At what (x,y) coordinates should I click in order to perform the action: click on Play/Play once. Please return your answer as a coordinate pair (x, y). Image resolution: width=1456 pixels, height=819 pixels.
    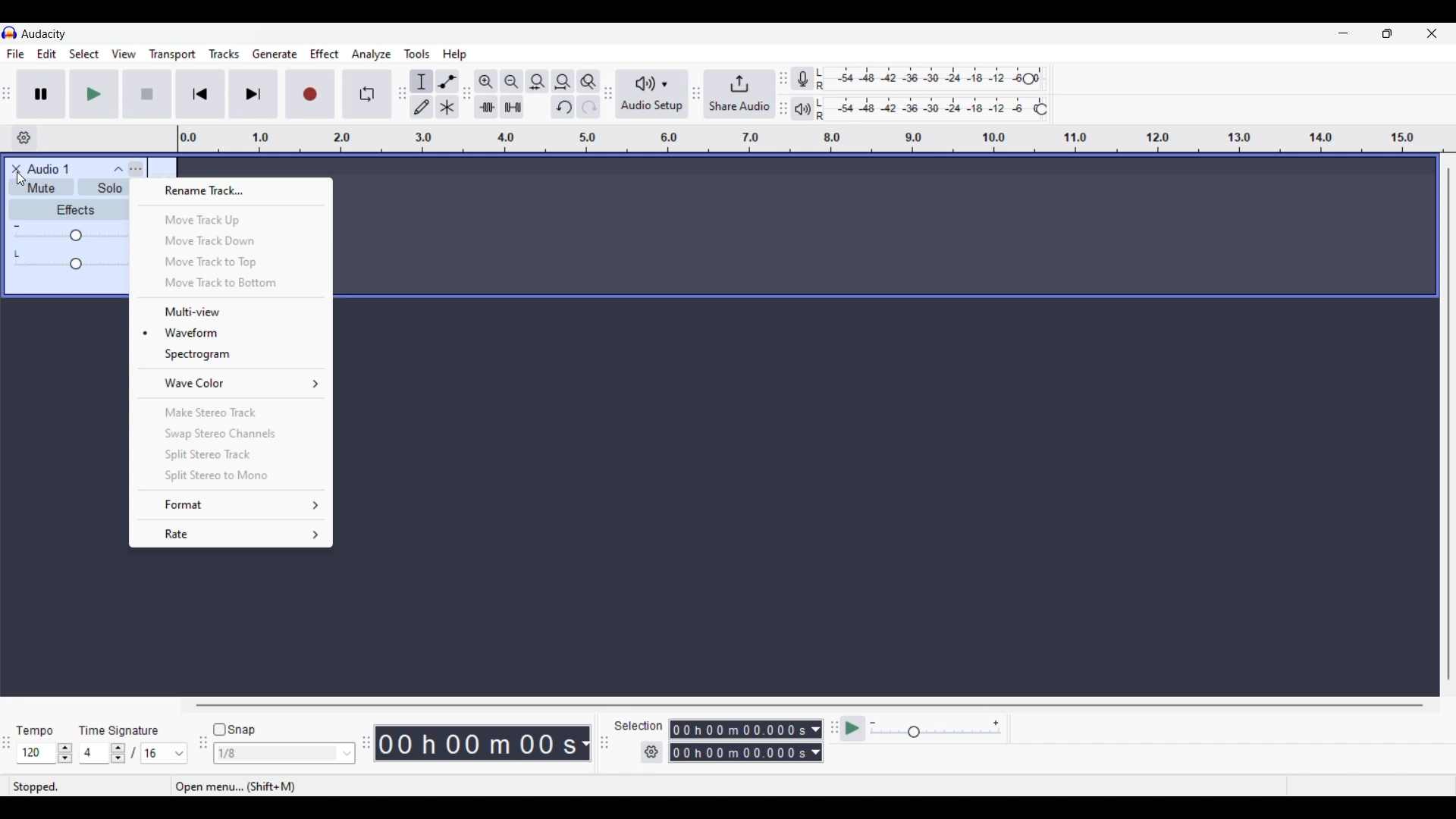
    Looking at the image, I should click on (94, 93).